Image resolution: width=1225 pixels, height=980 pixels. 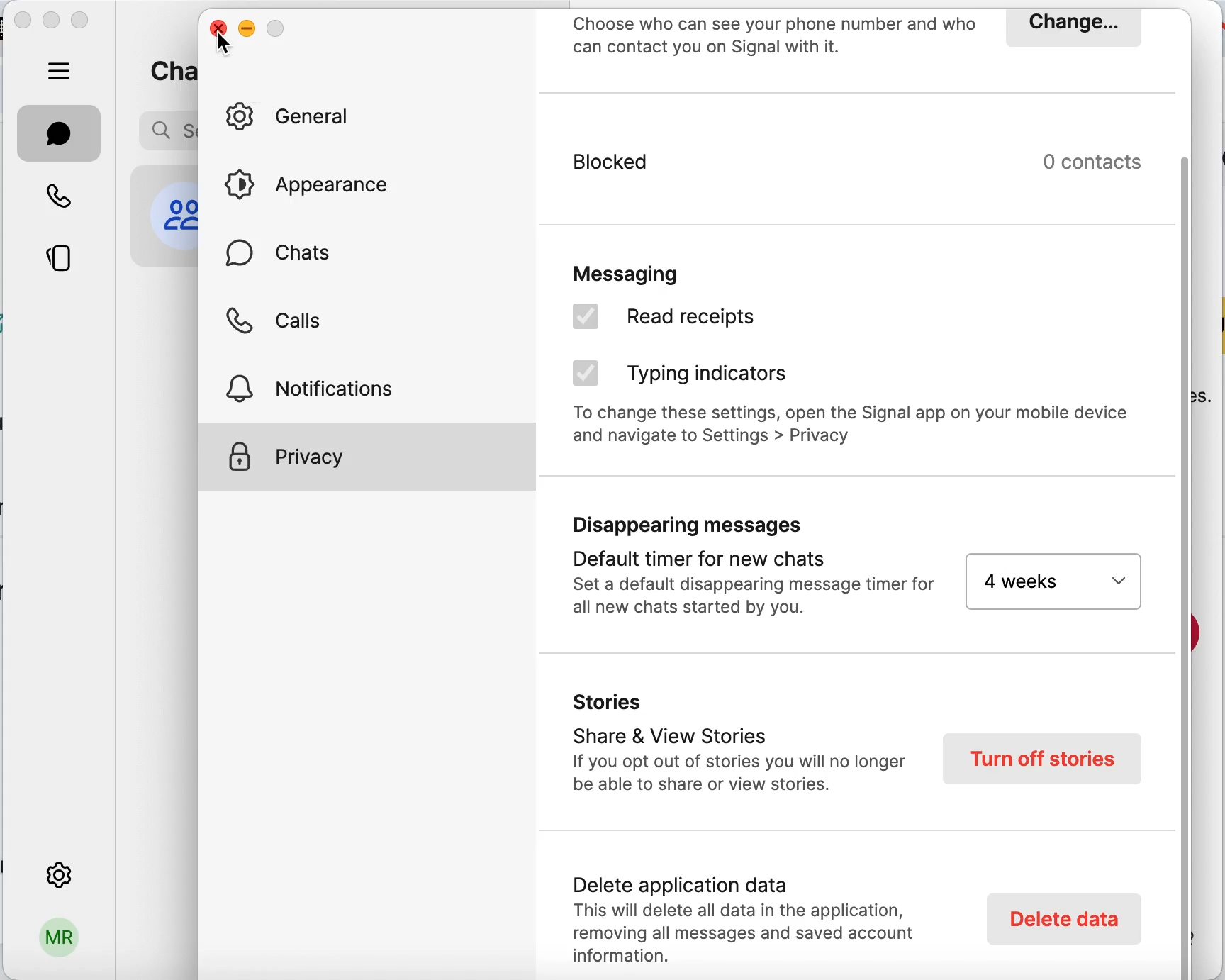 I want to click on privacy, so click(x=367, y=457).